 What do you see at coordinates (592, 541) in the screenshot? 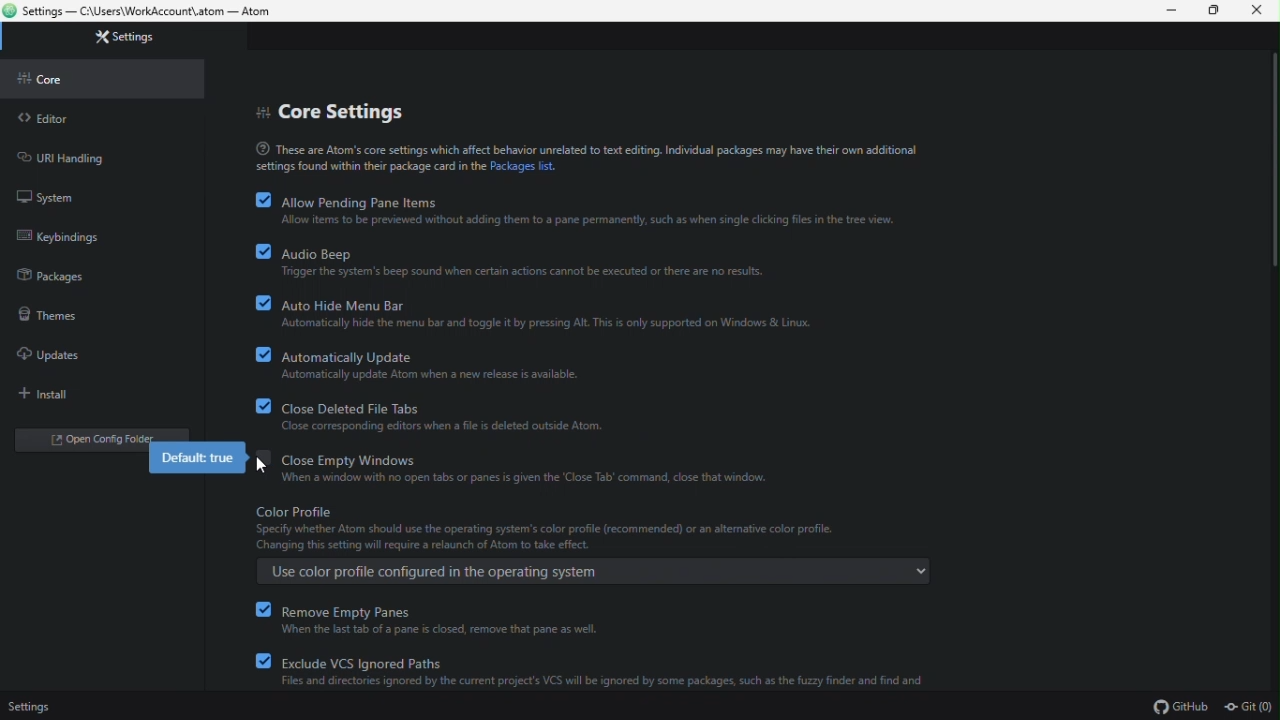
I see `color profile` at bounding box center [592, 541].